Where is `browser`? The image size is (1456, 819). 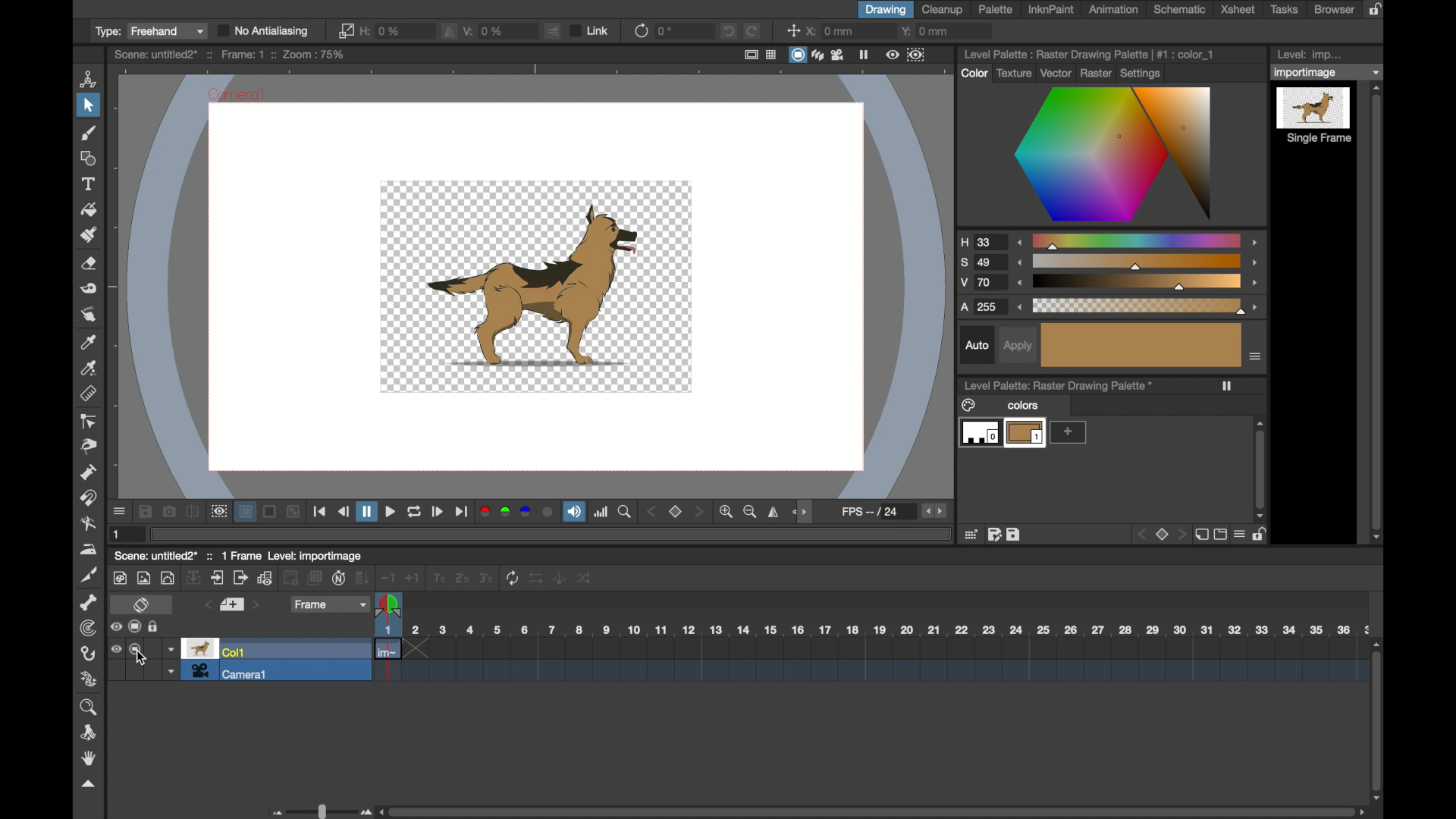
browser is located at coordinates (1333, 9).